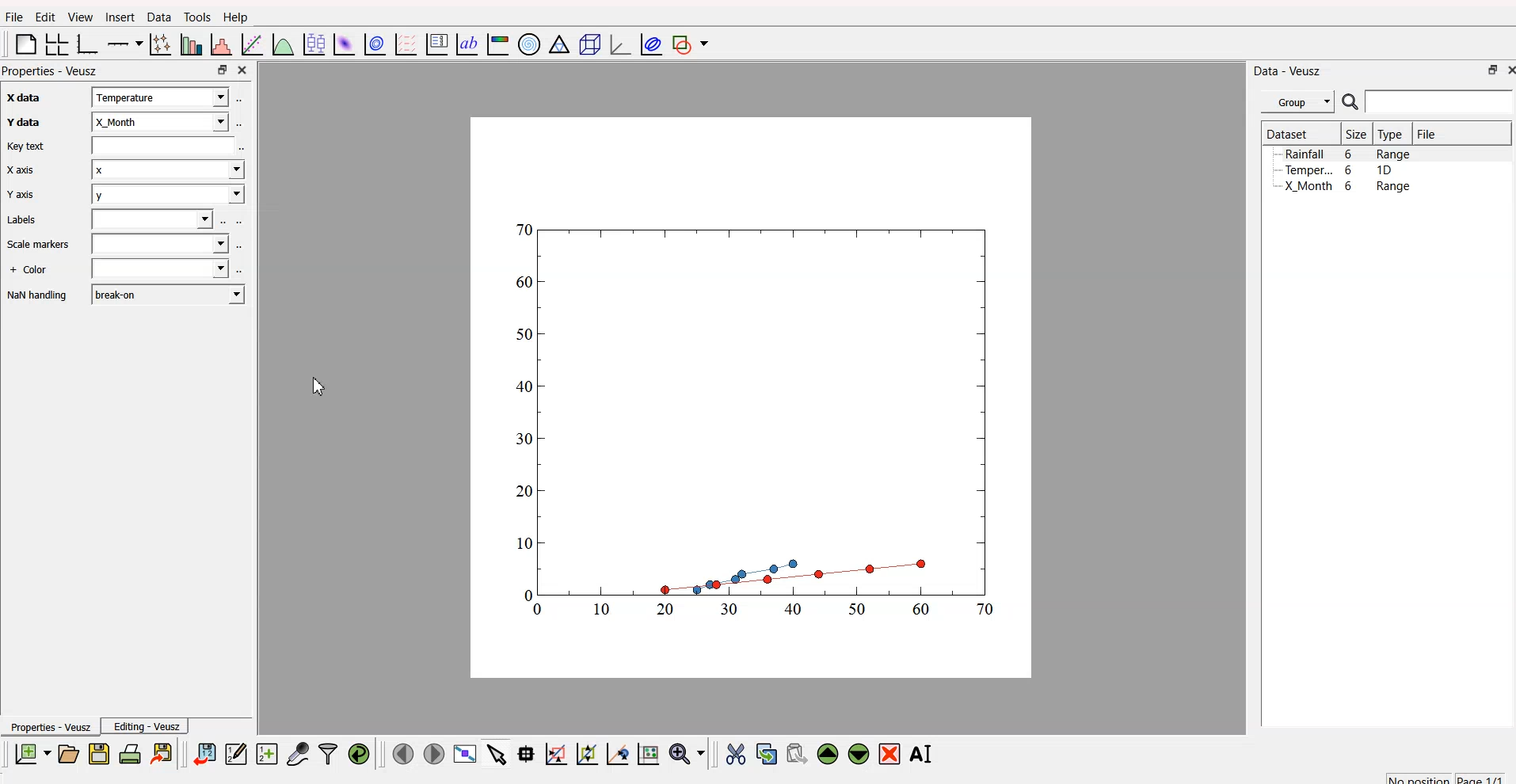 Image resolution: width=1516 pixels, height=784 pixels. What do you see at coordinates (342, 44) in the screenshot?
I see `plot dataset` at bounding box center [342, 44].